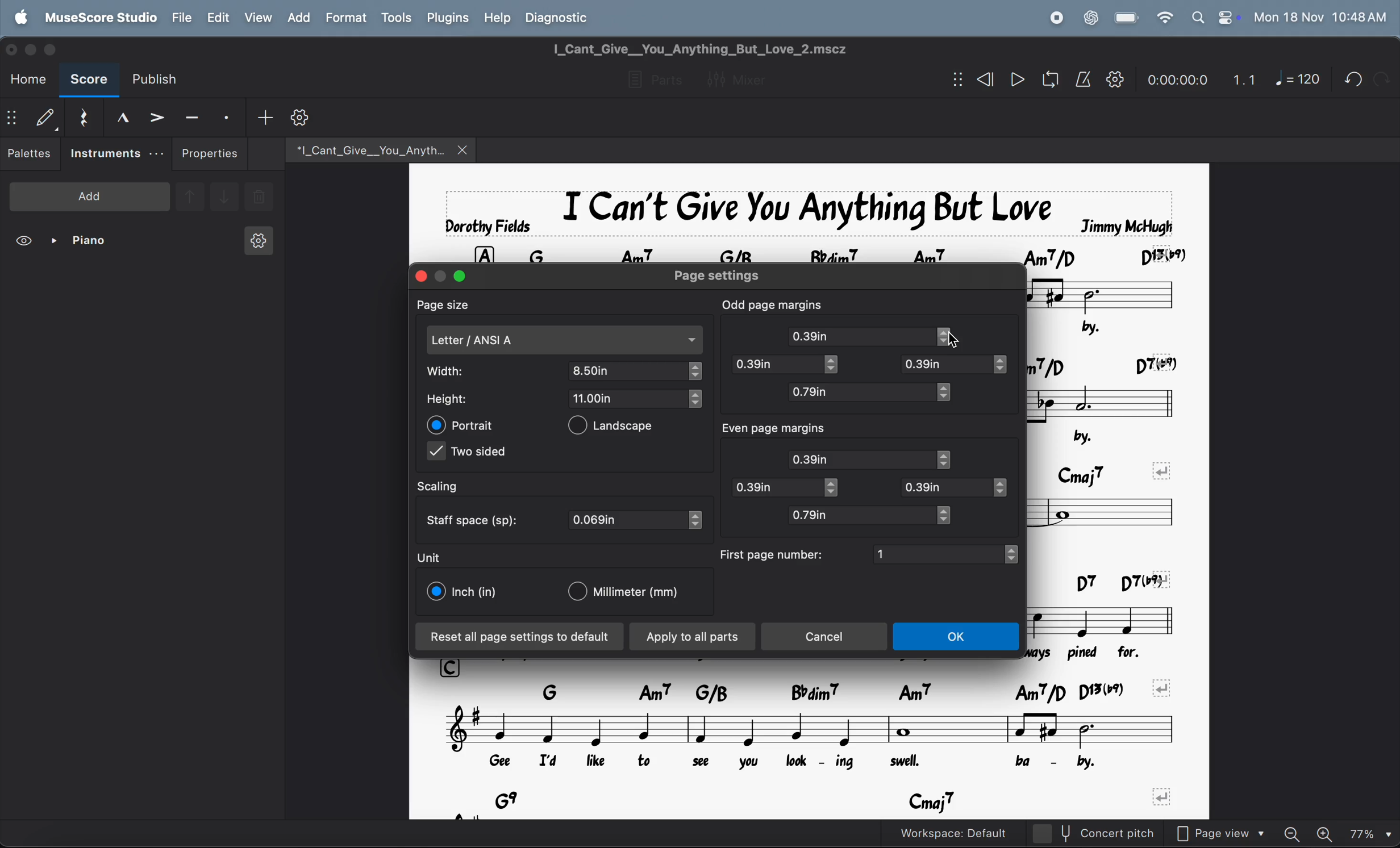 The width and height of the screenshot is (1400, 848). Describe the element at coordinates (859, 515) in the screenshot. I see `0.79in` at that location.